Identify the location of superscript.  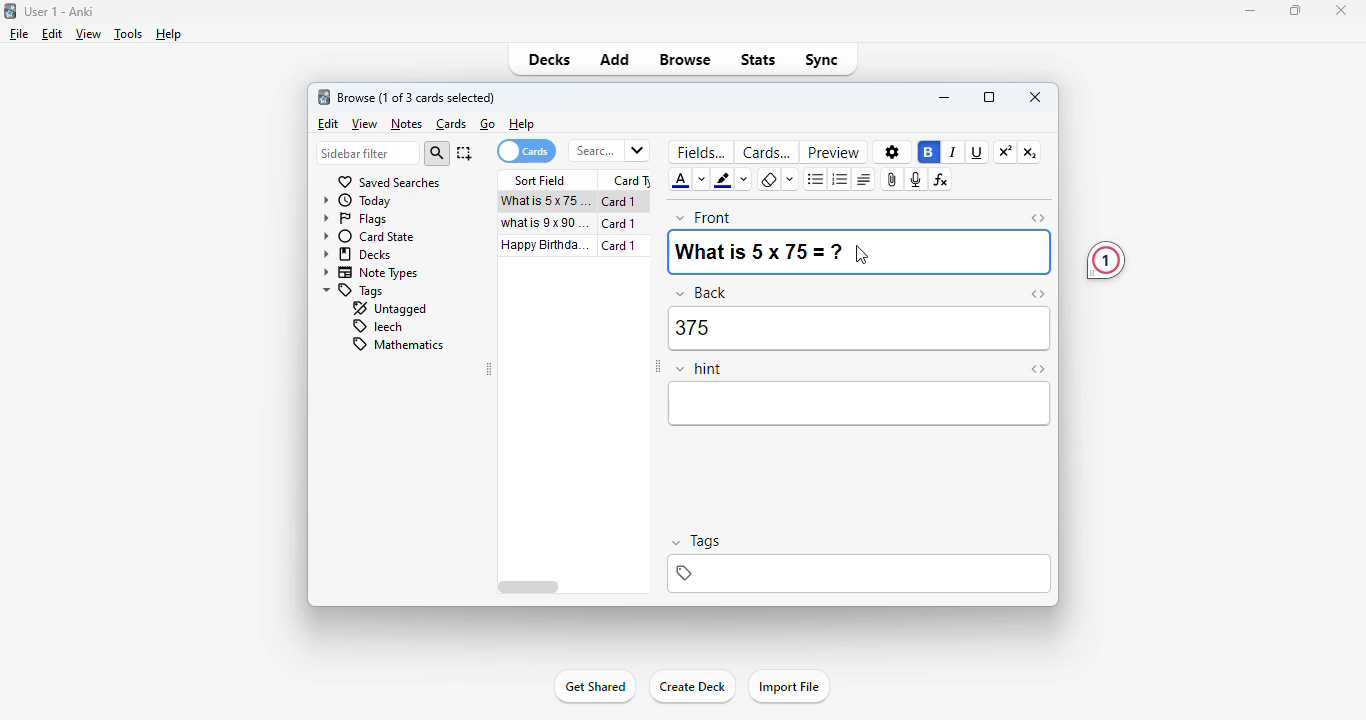
(1006, 152).